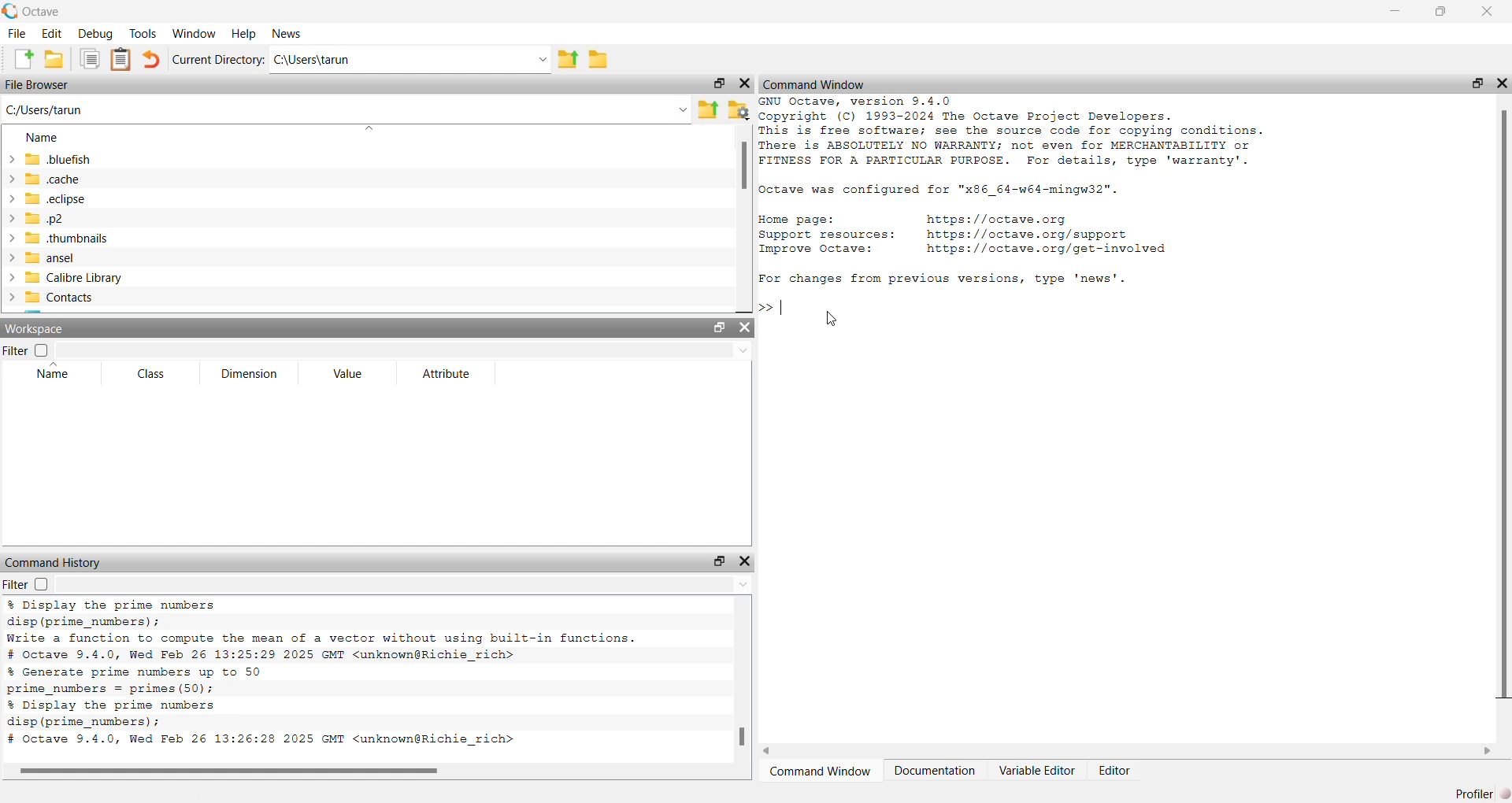 Image resolution: width=1512 pixels, height=803 pixels. Describe the element at coordinates (27, 584) in the screenshot. I see `Filter` at that location.